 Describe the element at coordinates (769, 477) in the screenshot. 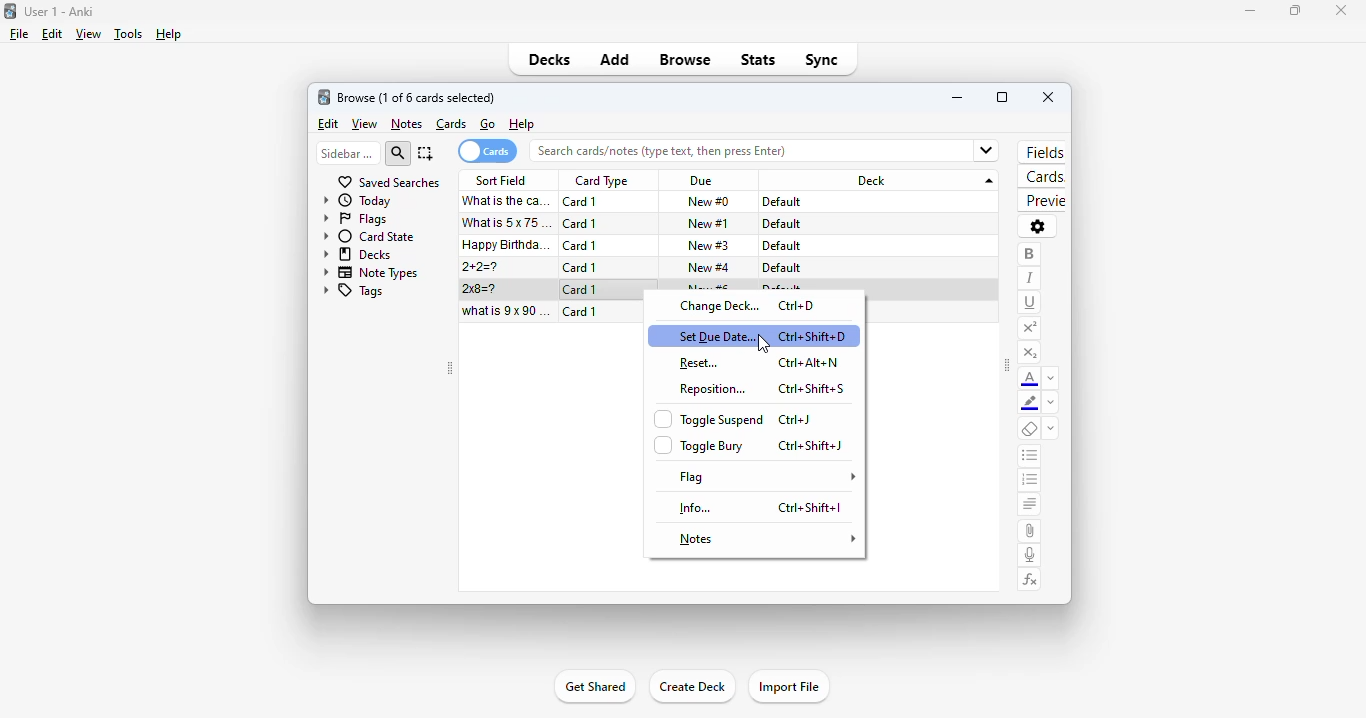

I see `flag` at that location.